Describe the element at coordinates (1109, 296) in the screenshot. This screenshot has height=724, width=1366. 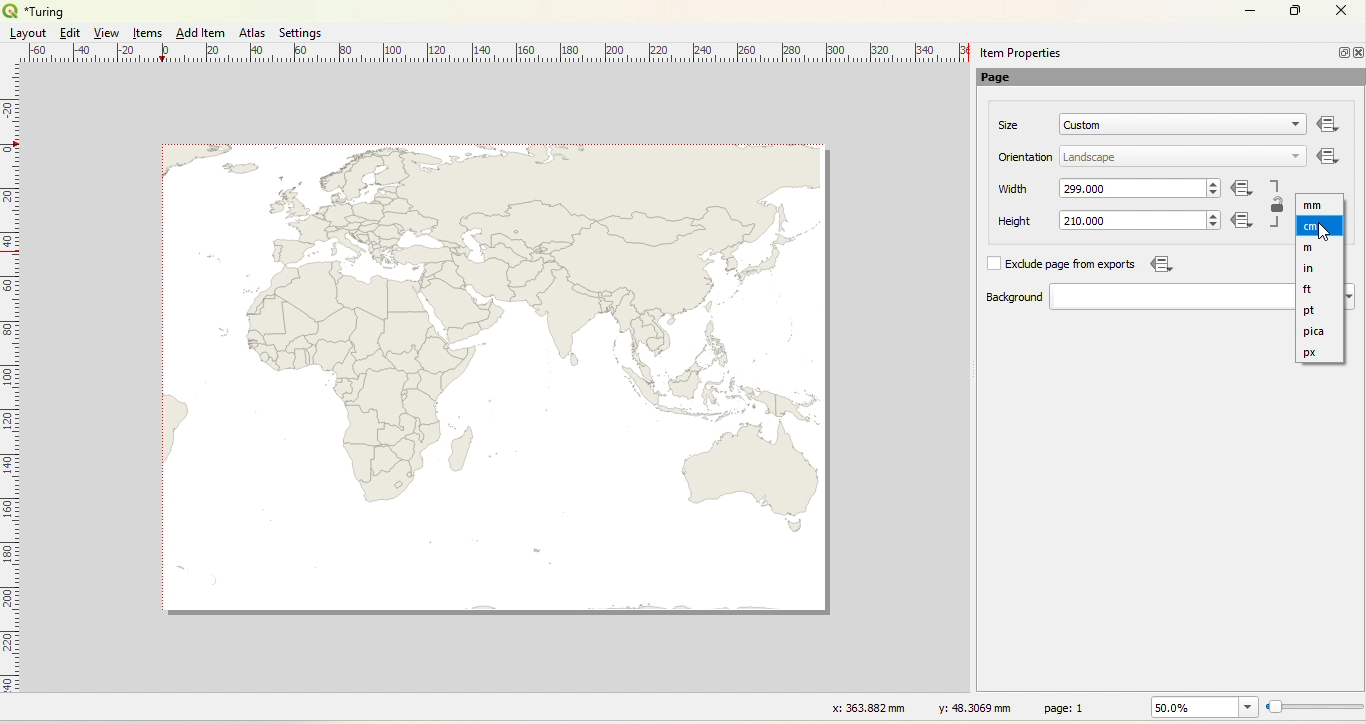
I see `background` at that location.